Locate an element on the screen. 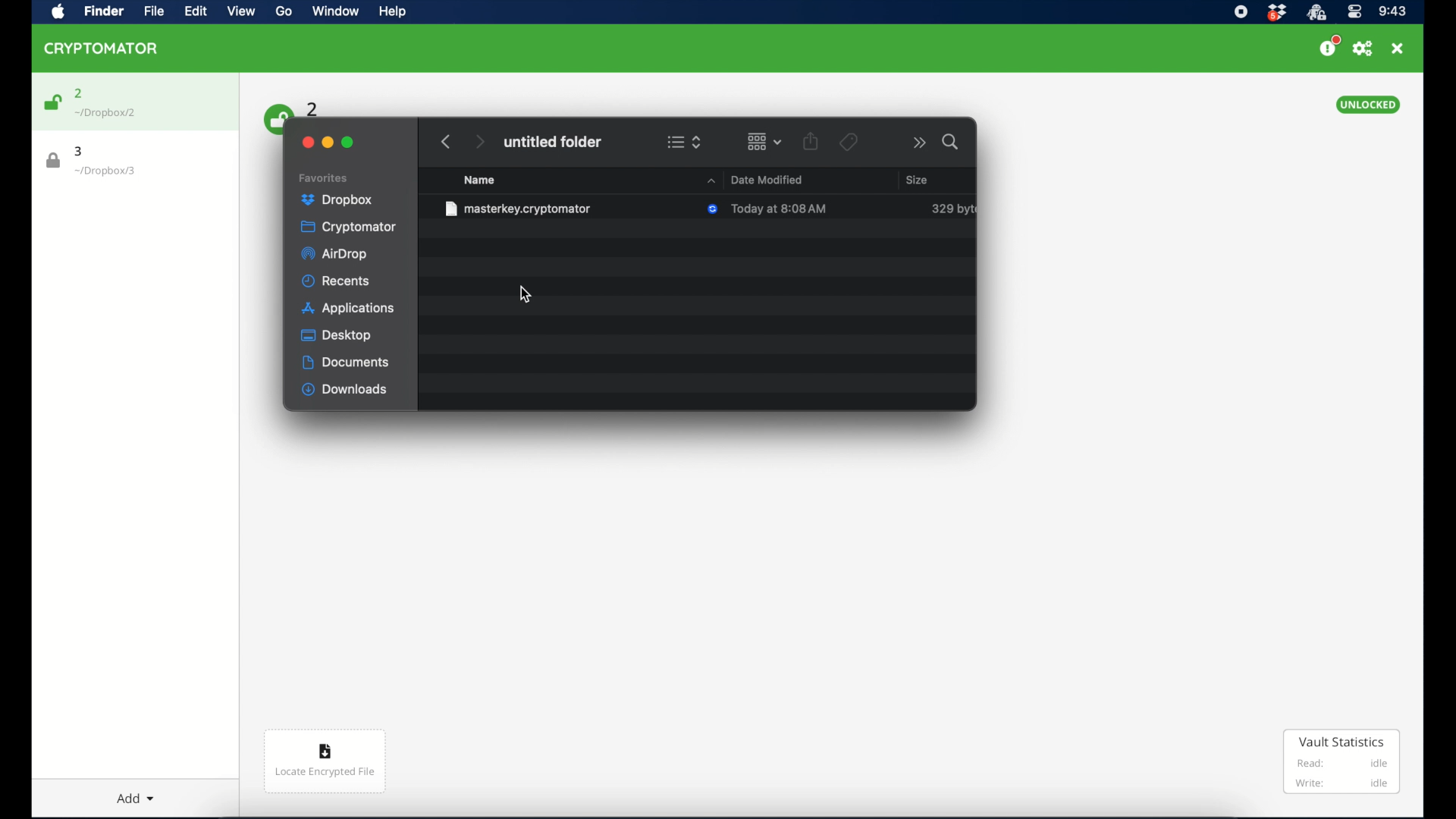 This screenshot has height=819, width=1456. close is located at coordinates (306, 143).